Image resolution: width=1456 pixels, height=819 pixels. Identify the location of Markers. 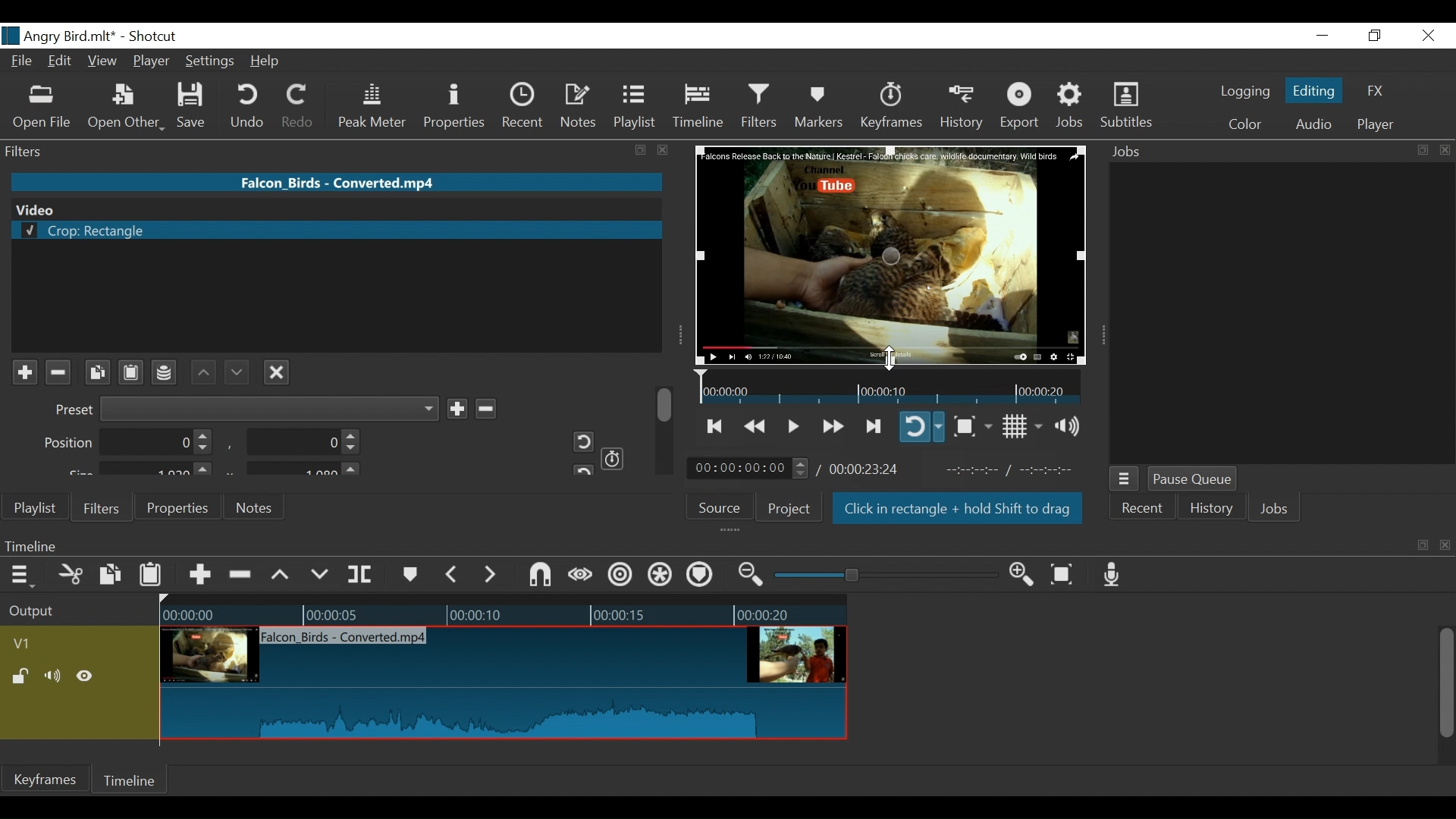
(818, 106).